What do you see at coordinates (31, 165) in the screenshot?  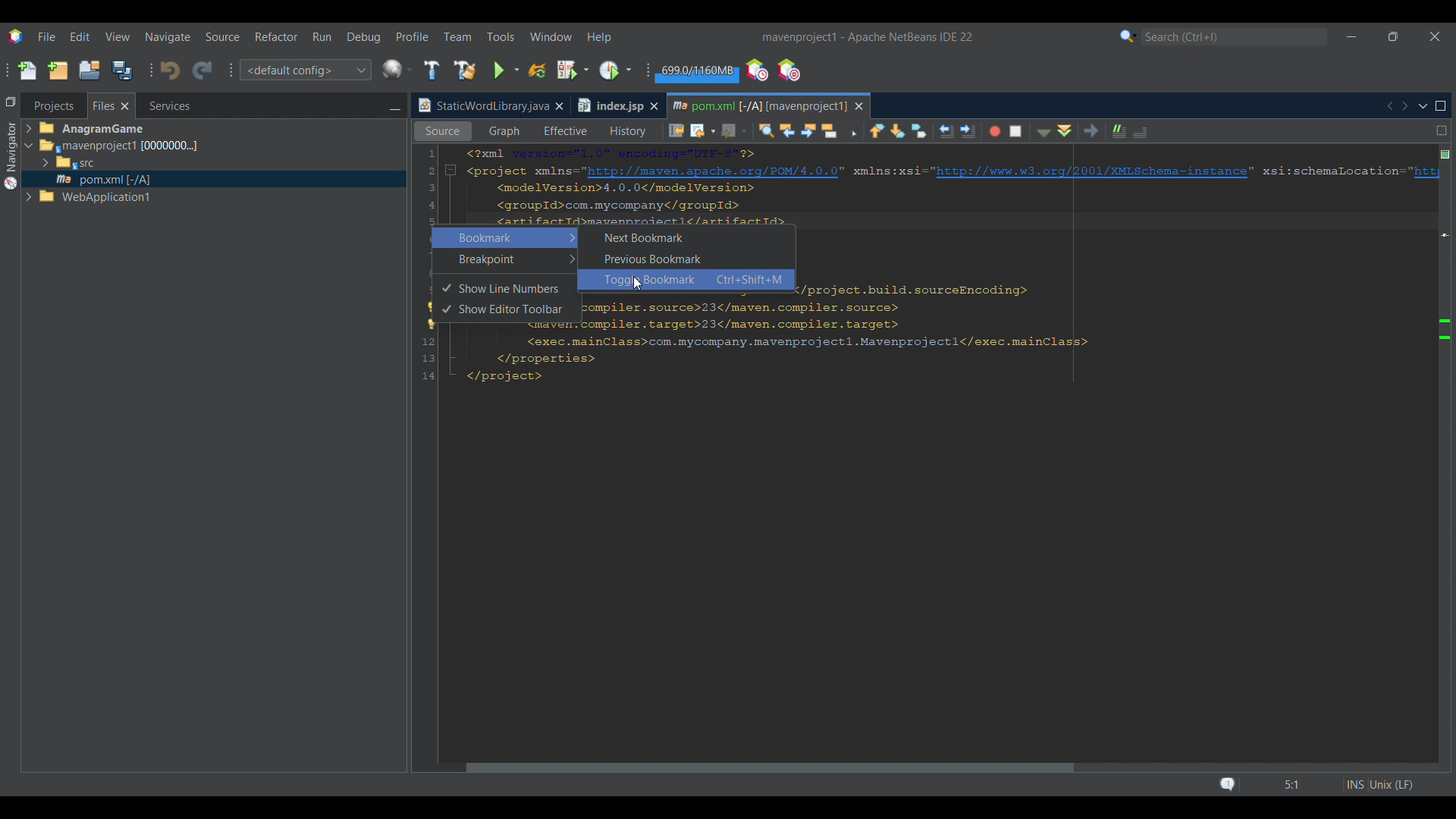 I see `Expand` at bounding box center [31, 165].